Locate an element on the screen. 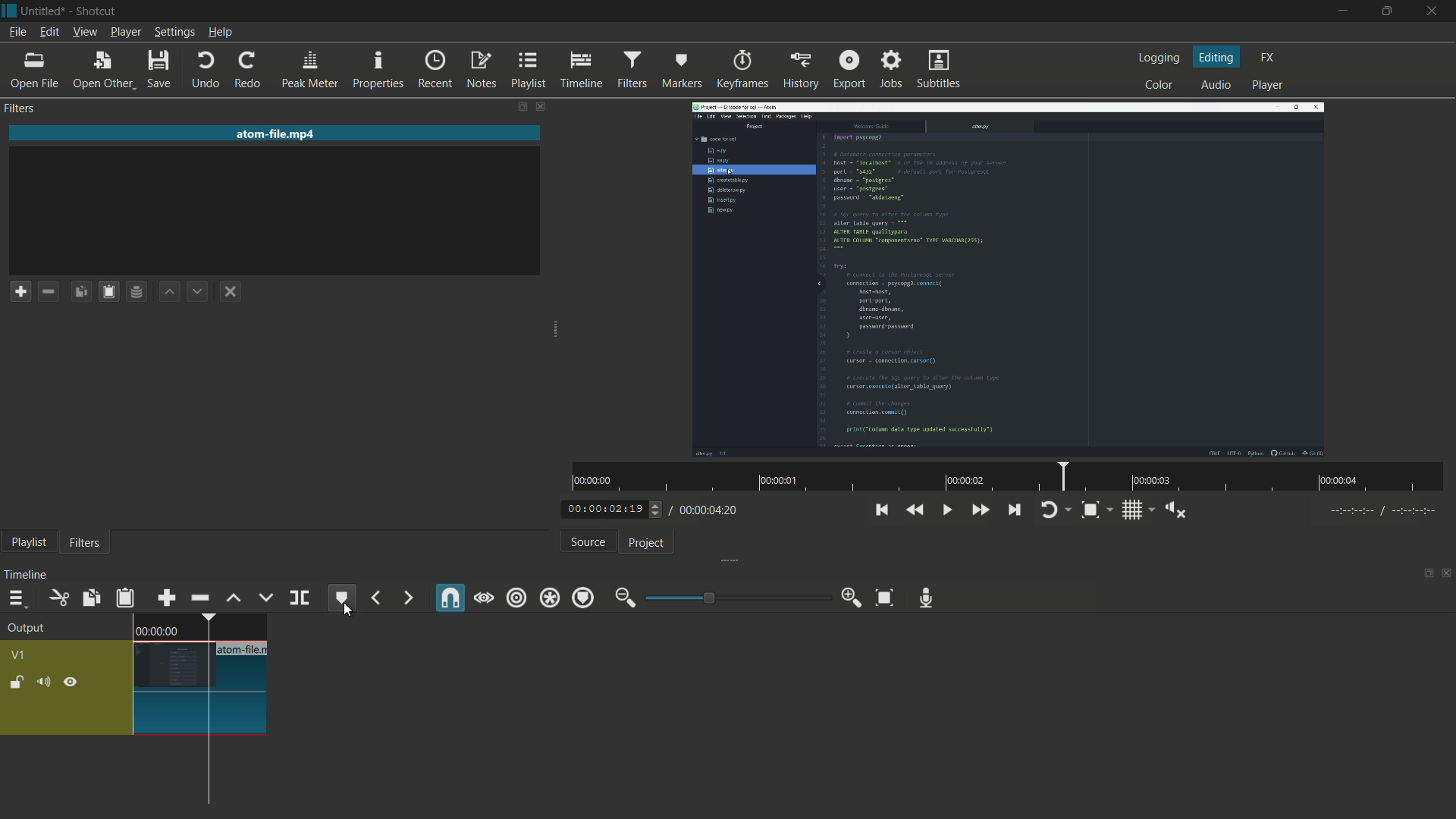 This screenshot has height=819, width=1456. source is located at coordinates (585, 541).